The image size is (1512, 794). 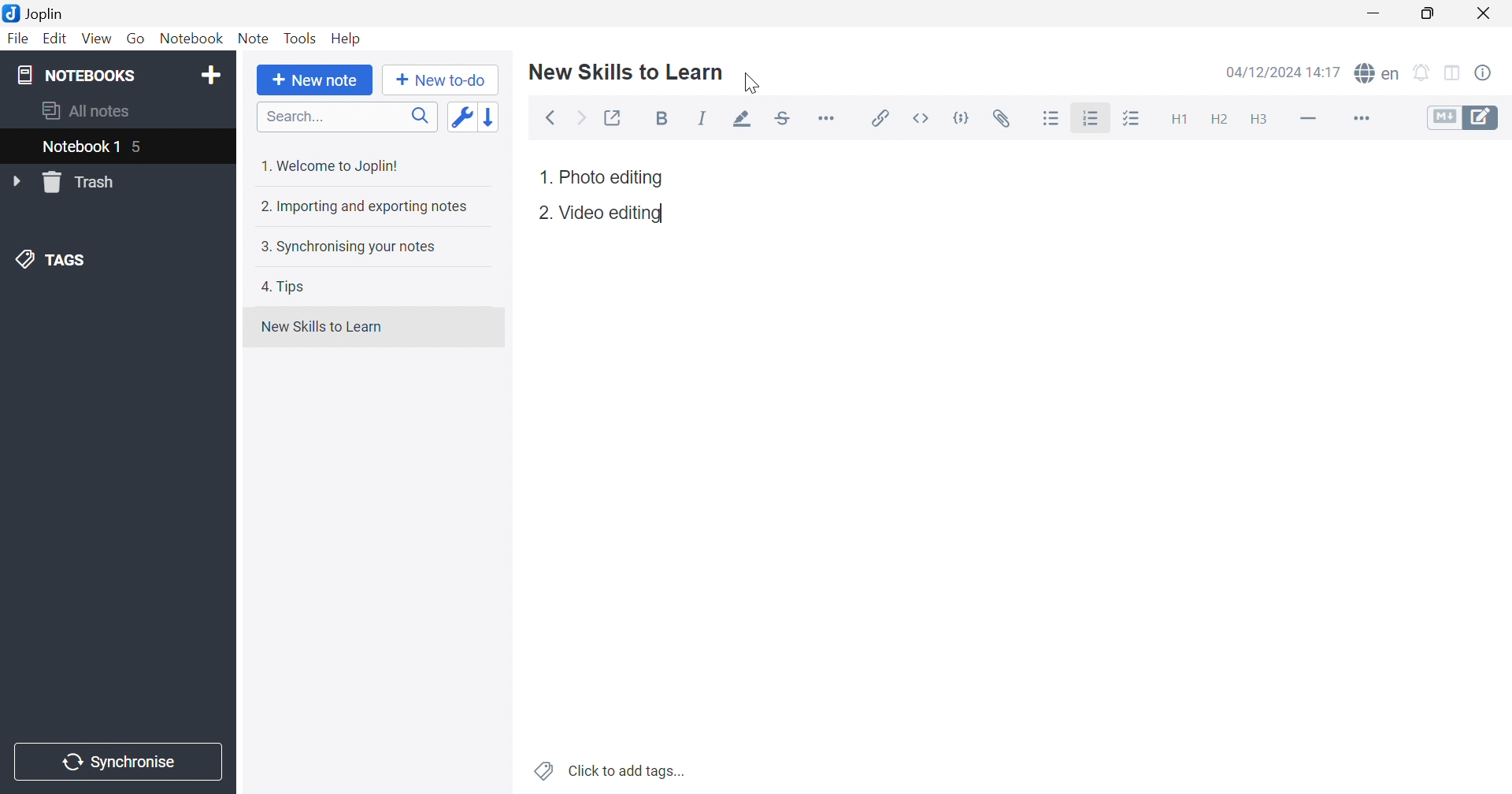 What do you see at coordinates (1463, 117) in the screenshot?
I see `Toggle editors` at bounding box center [1463, 117].